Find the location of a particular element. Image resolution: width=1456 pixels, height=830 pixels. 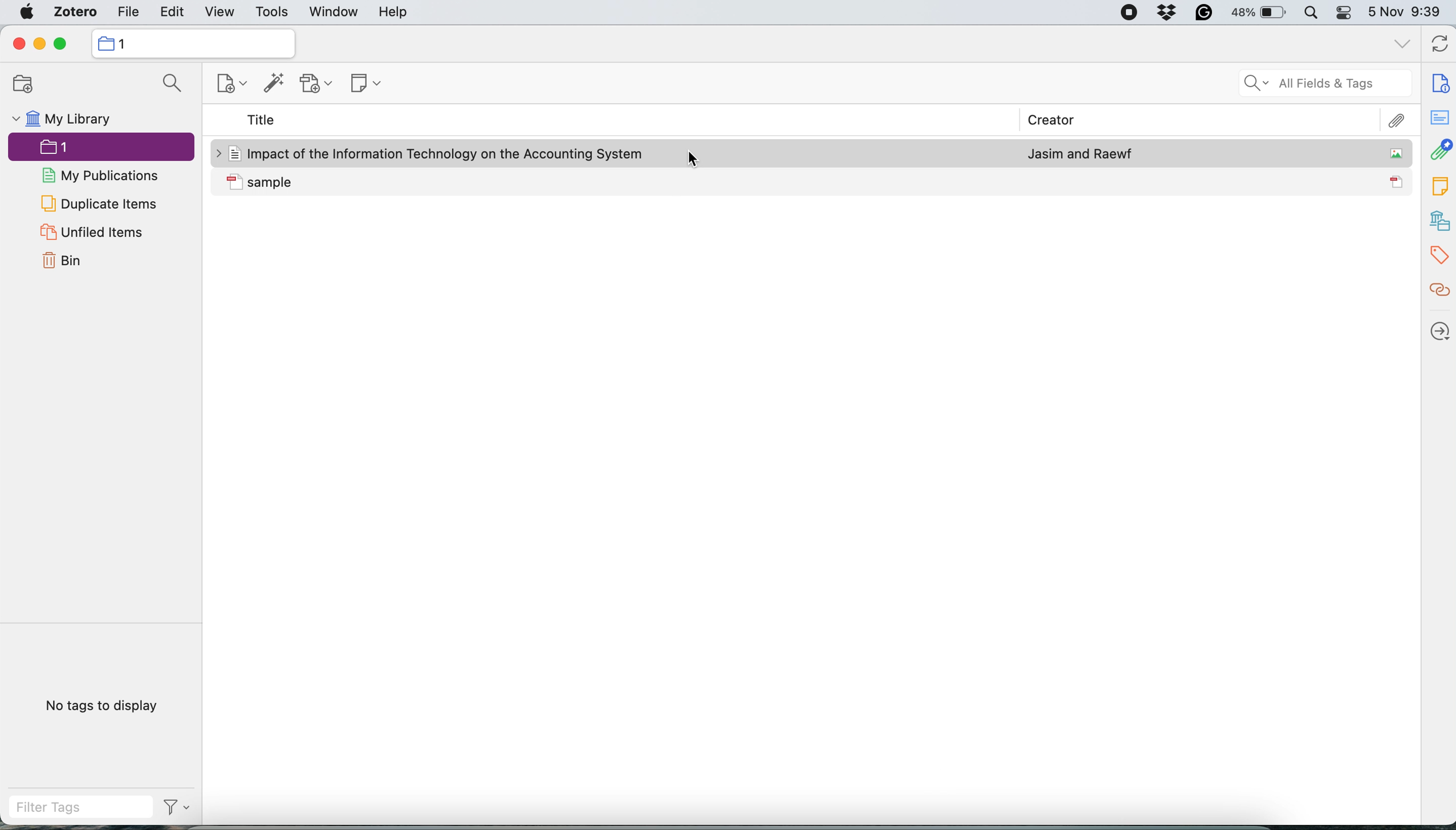

input filter tags is located at coordinates (83, 808).